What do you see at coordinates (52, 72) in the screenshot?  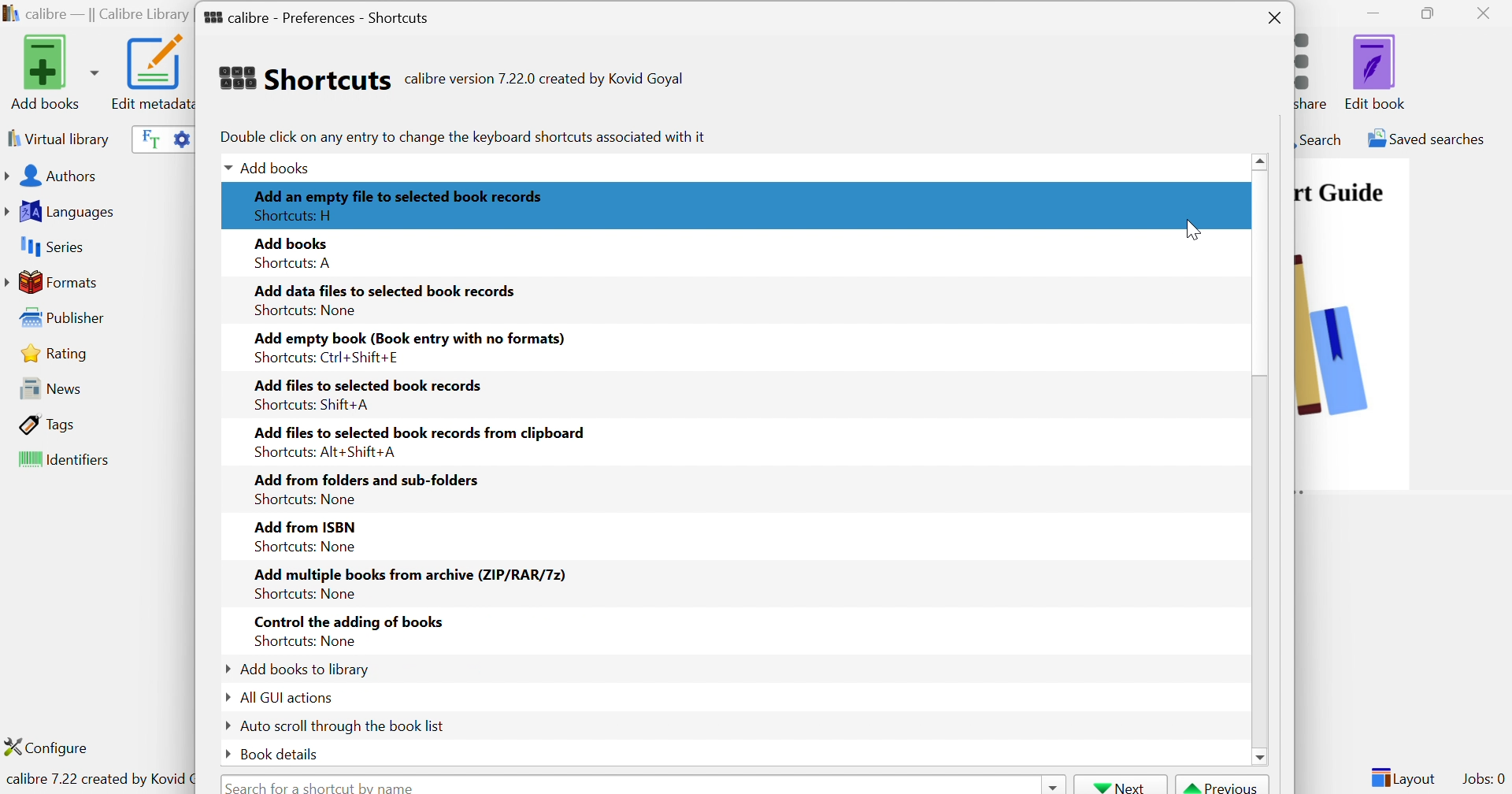 I see `Add books` at bounding box center [52, 72].